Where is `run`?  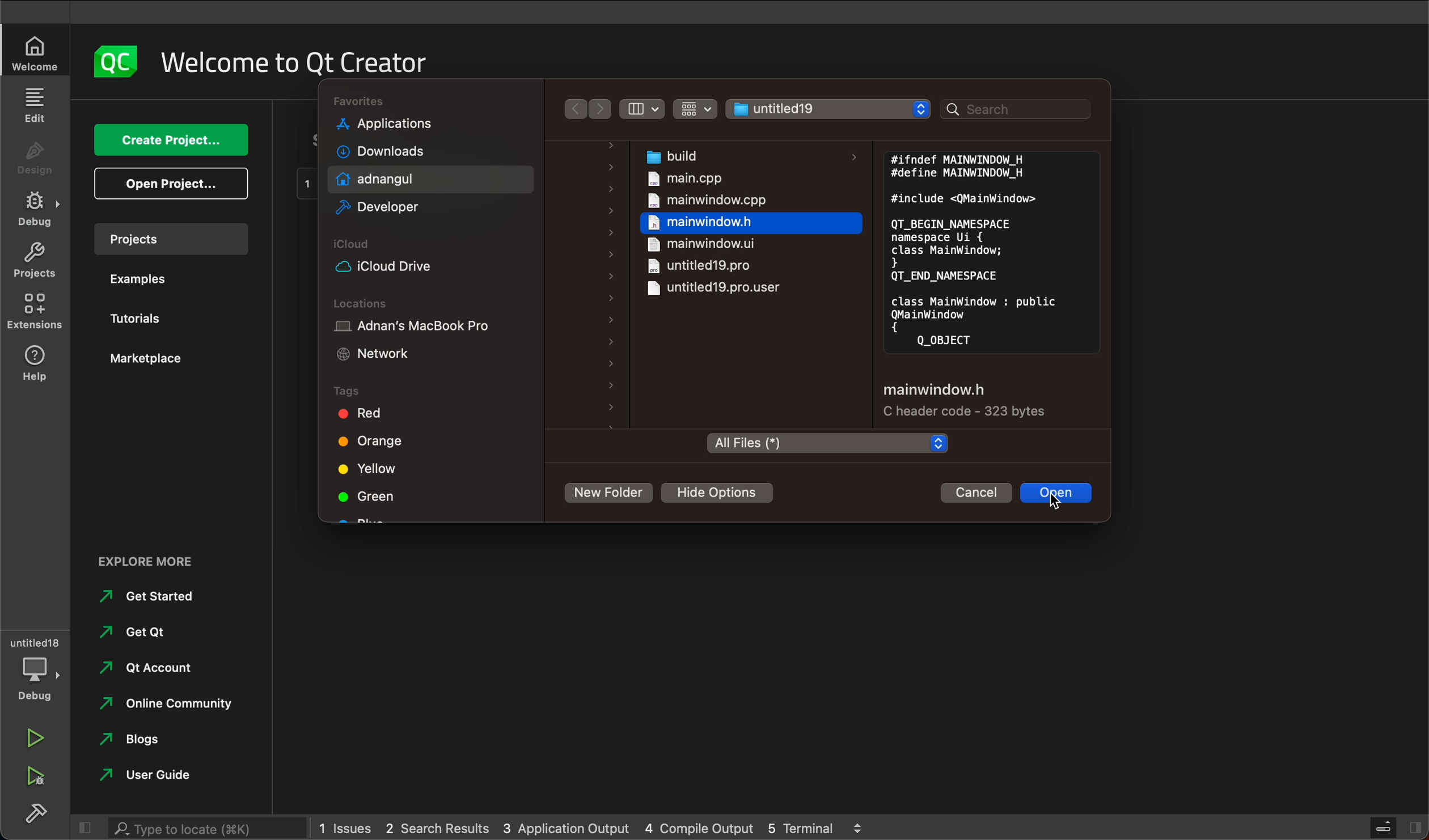 run is located at coordinates (33, 736).